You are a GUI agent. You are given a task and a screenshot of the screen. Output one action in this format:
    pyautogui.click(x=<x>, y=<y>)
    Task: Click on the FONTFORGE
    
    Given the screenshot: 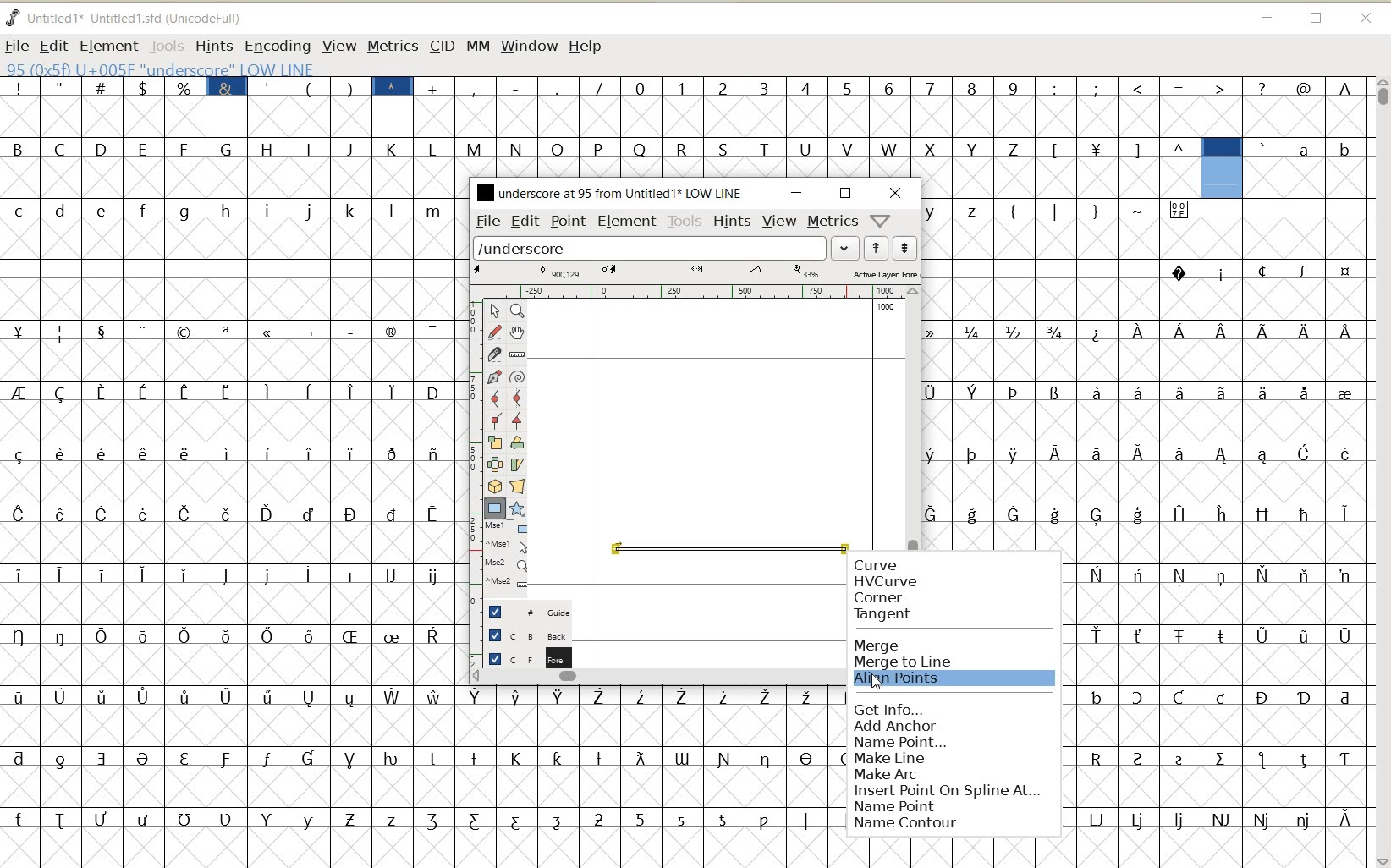 What is the action you would take?
    pyautogui.click(x=13, y=17)
    